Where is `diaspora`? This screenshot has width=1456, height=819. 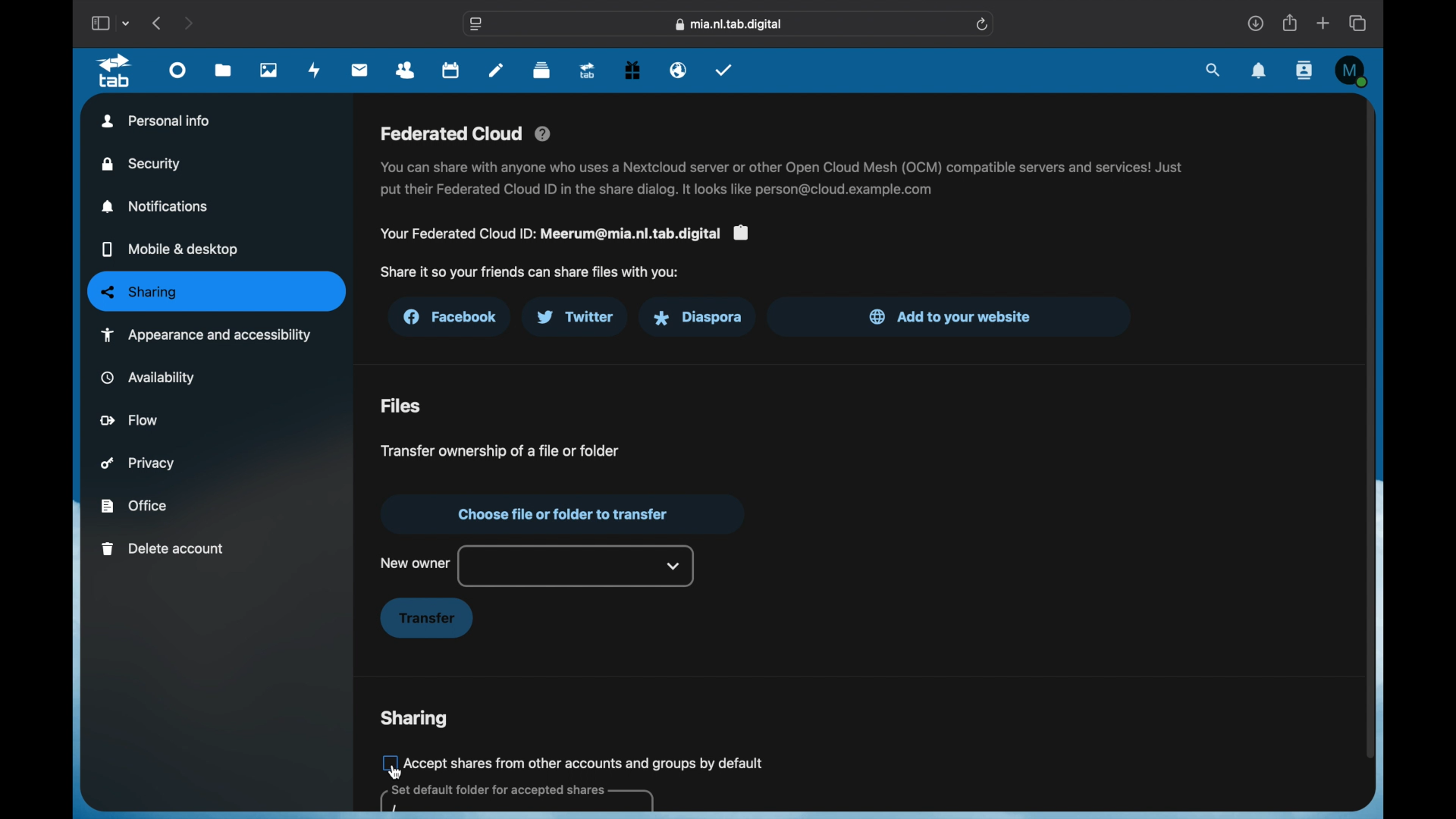 diaspora is located at coordinates (697, 318).